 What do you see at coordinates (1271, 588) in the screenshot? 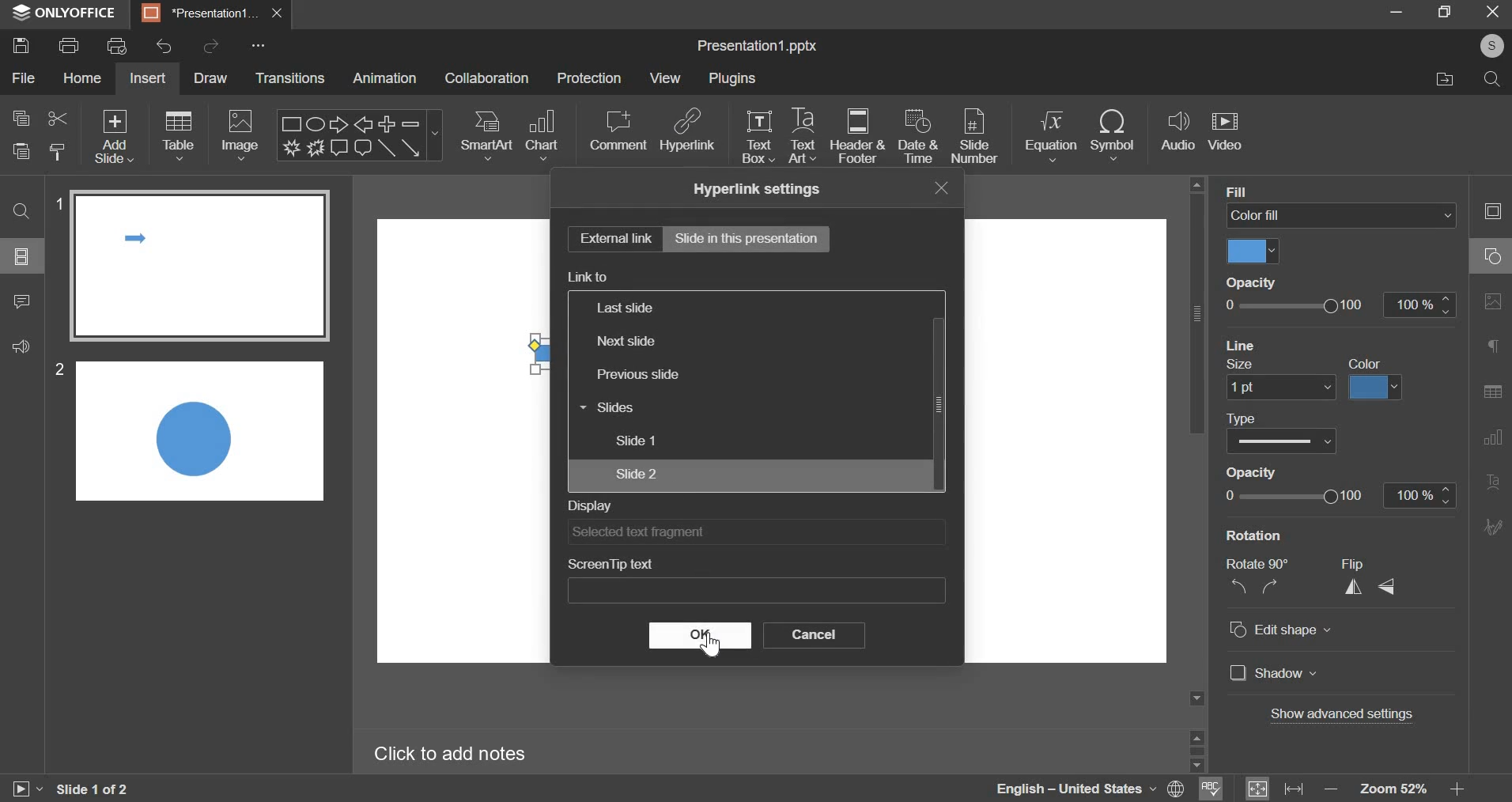
I see `rotate clockwise` at bounding box center [1271, 588].